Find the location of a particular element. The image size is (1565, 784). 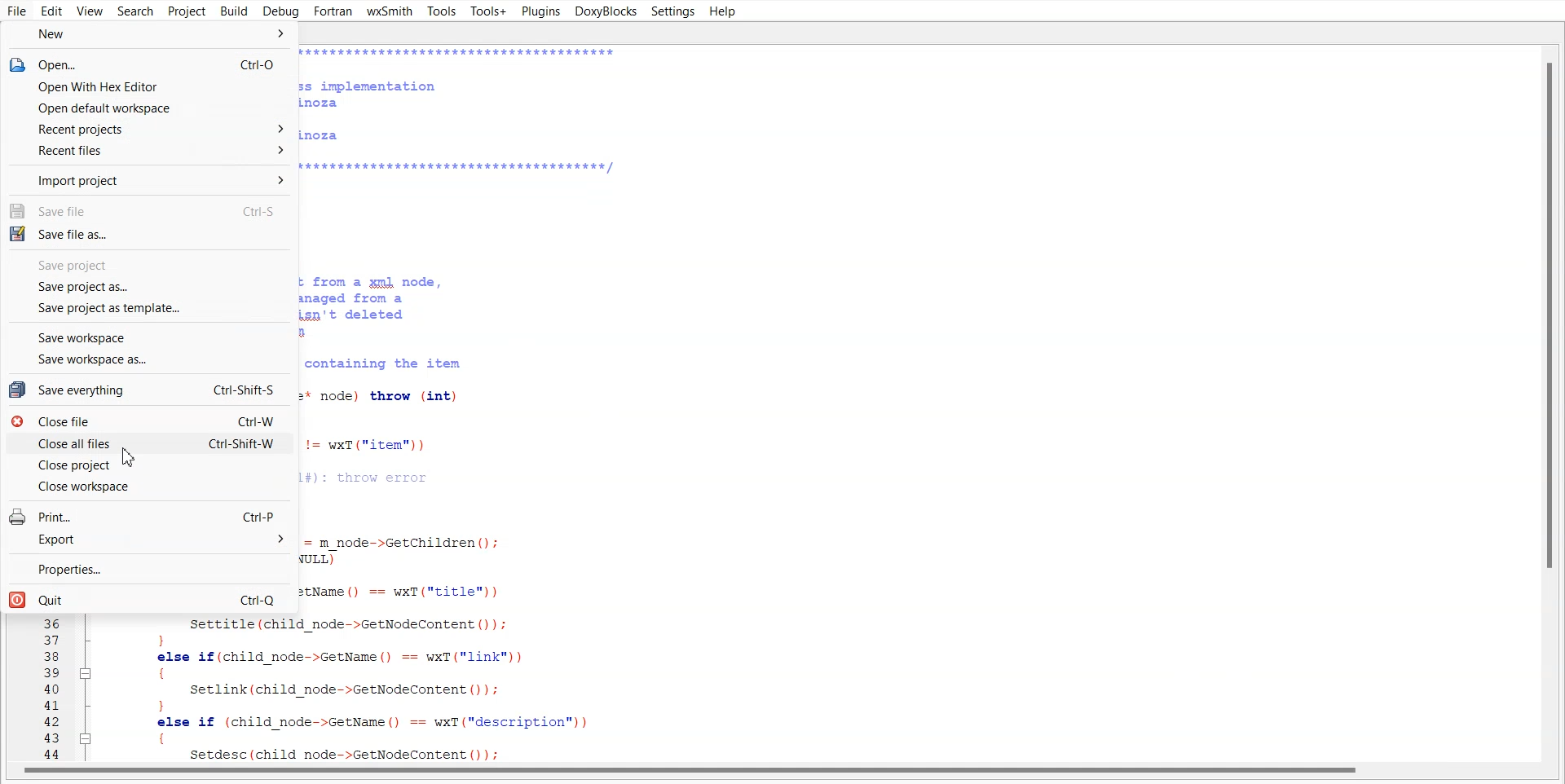

Open is located at coordinates (148, 64).